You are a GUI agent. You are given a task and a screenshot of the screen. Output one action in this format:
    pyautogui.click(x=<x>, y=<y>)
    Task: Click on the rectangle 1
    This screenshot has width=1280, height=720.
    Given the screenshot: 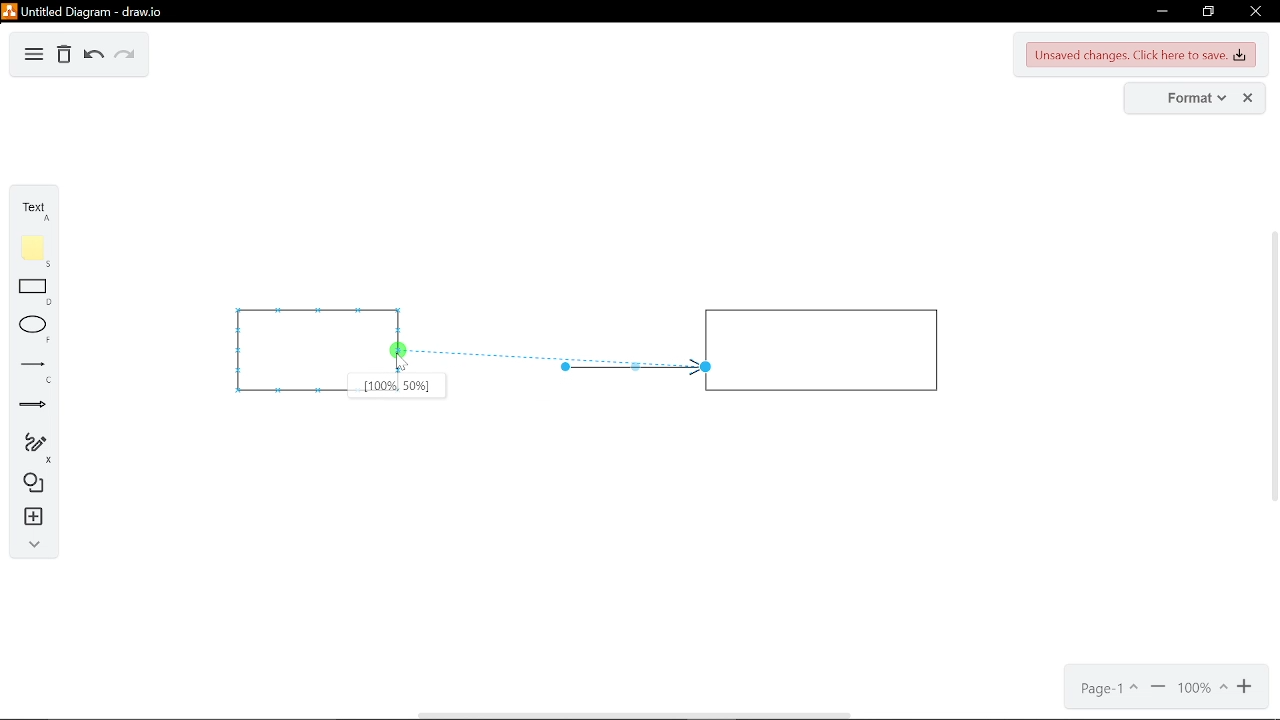 What is the action you would take?
    pyautogui.click(x=291, y=350)
    